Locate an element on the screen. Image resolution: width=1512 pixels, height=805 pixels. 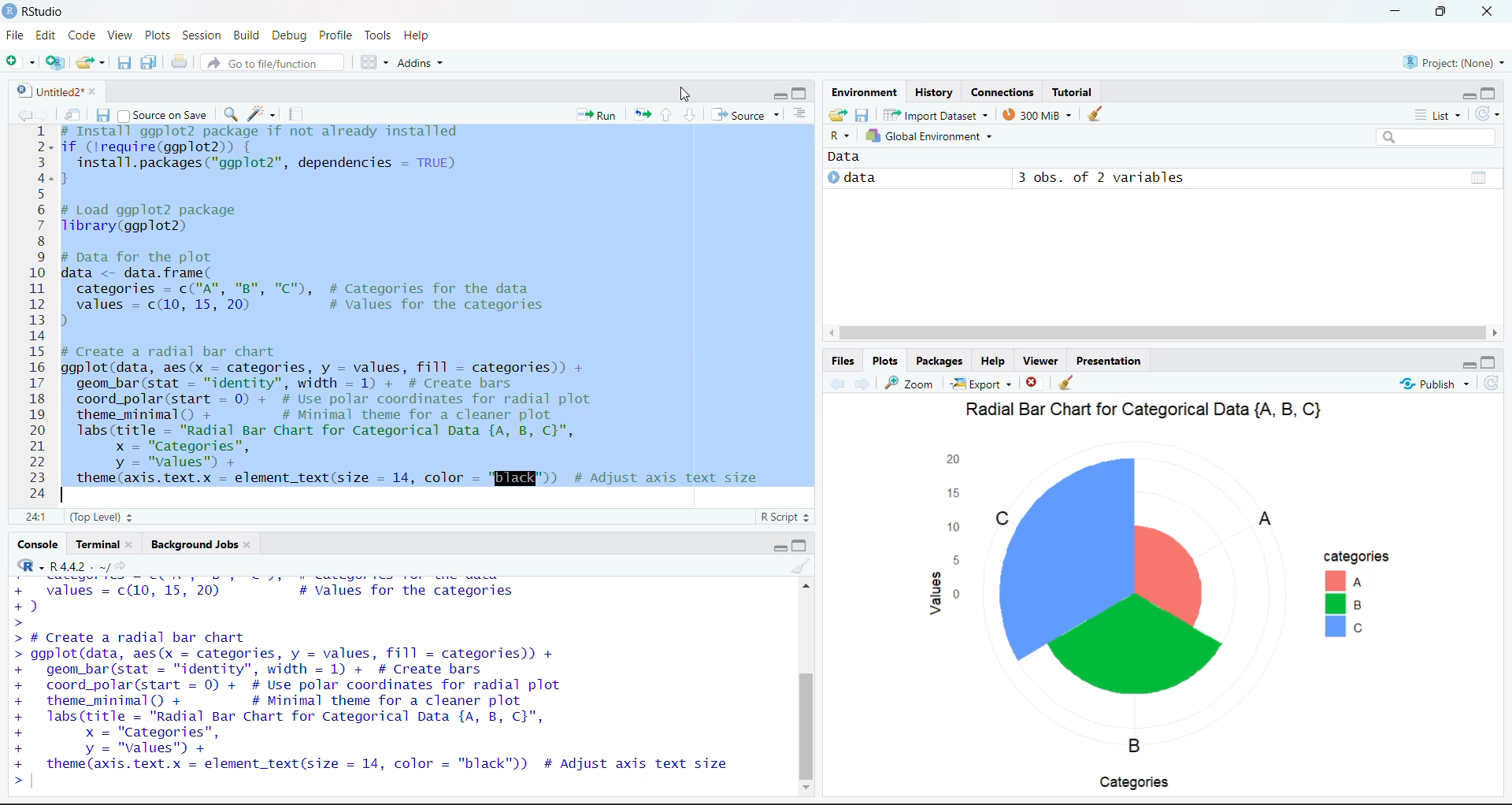
Go to file/function is located at coordinates (270, 63).